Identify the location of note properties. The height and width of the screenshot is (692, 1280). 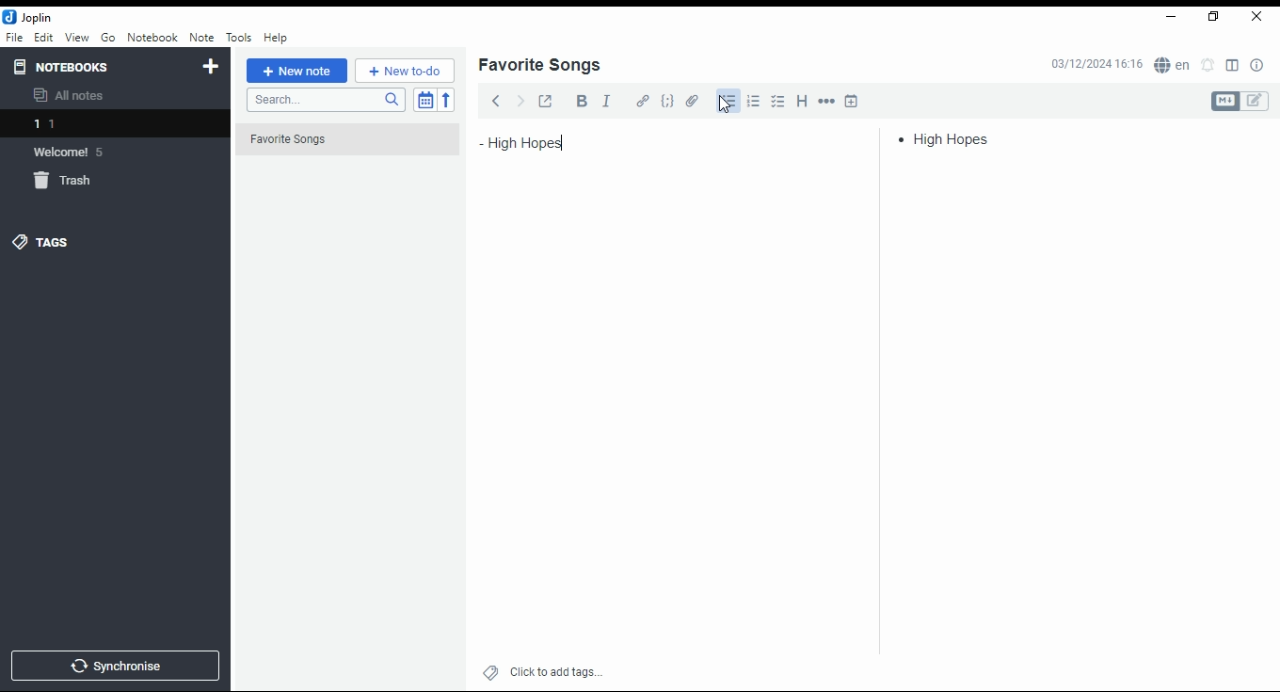
(1258, 66).